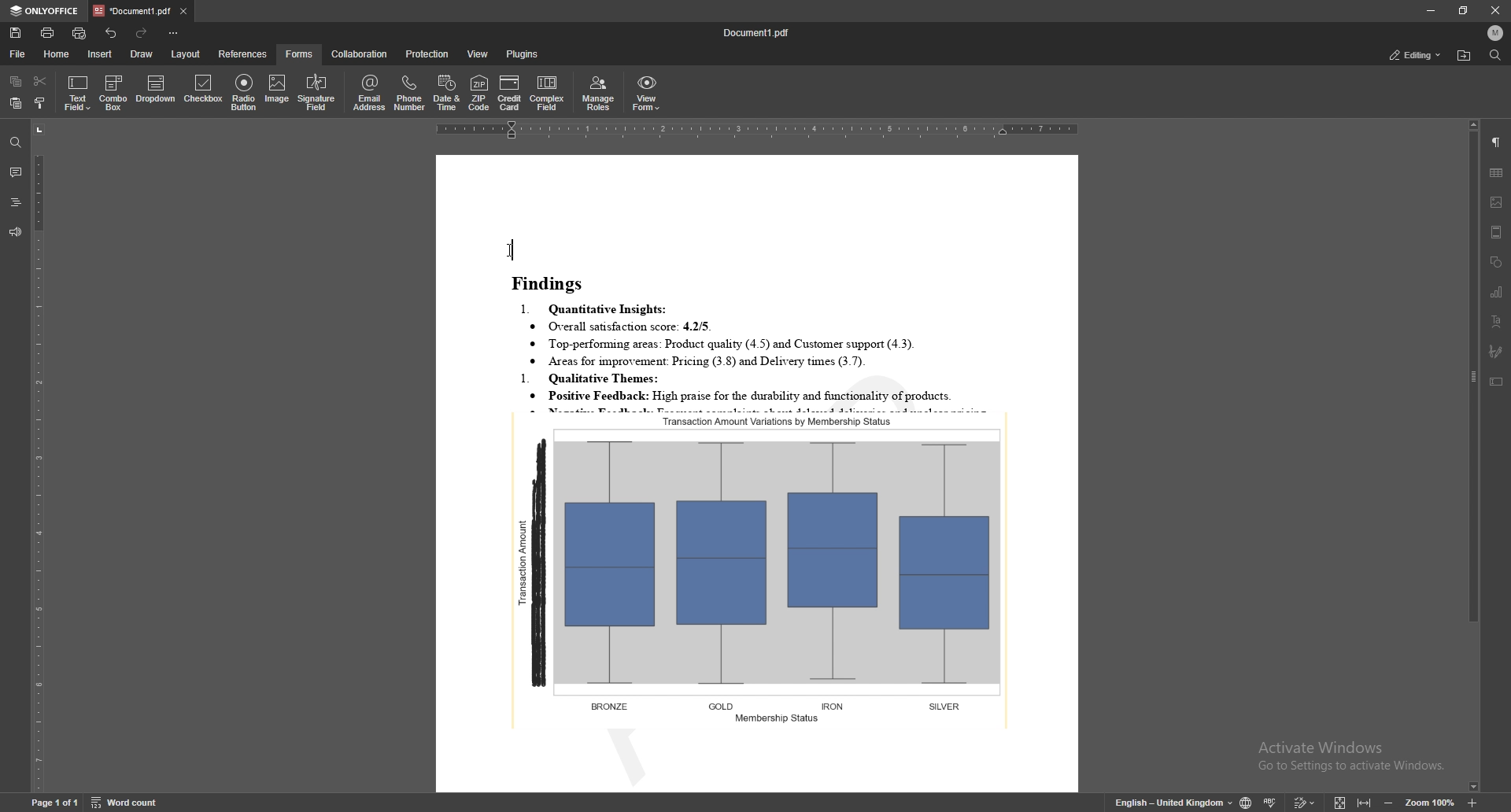 This screenshot has height=812, width=1511. Describe the element at coordinates (48, 33) in the screenshot. I see `print` at that location.